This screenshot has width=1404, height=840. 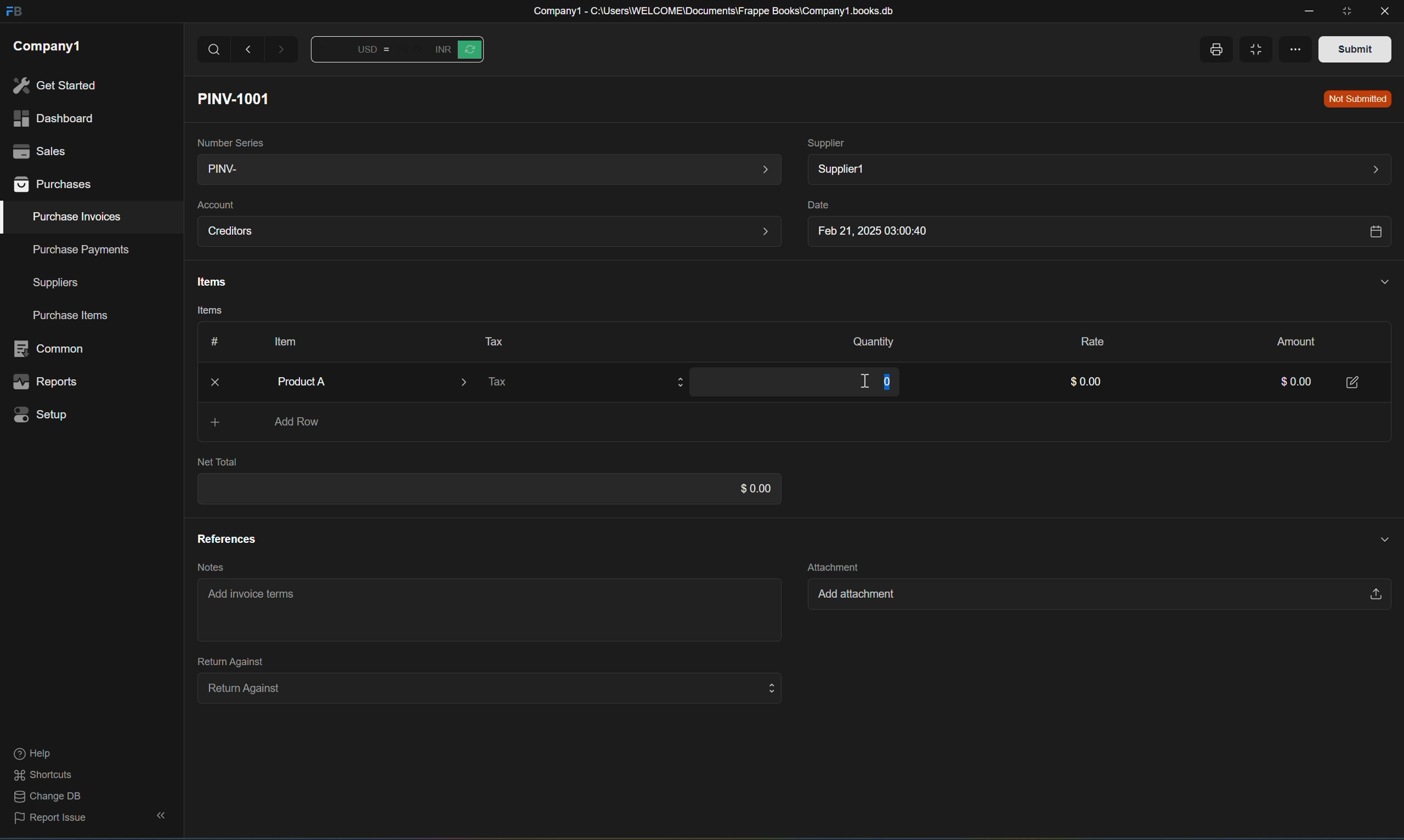 I want to click on , so click(x=210, y=341).